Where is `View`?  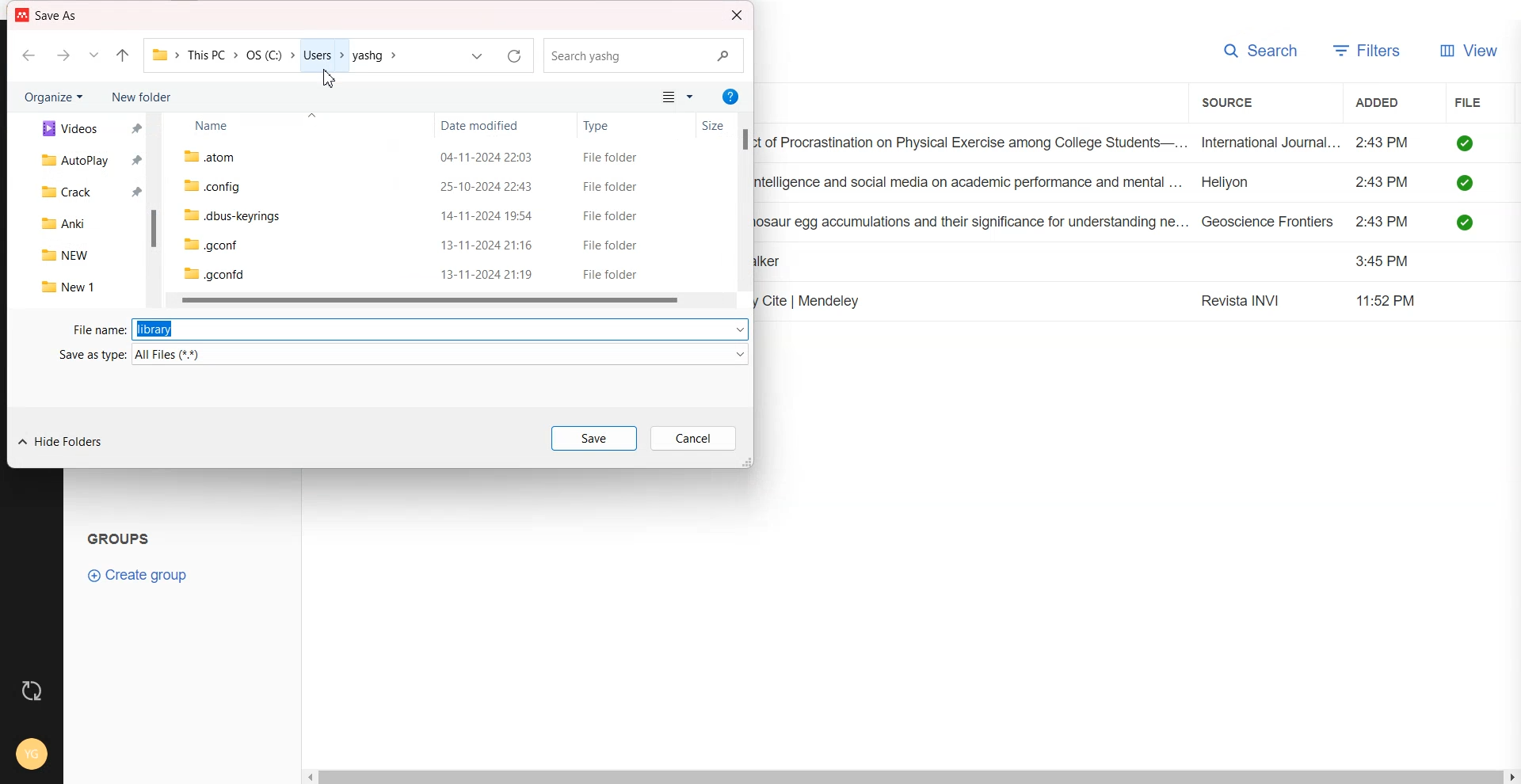 View is located at coordinates (1470, 52).